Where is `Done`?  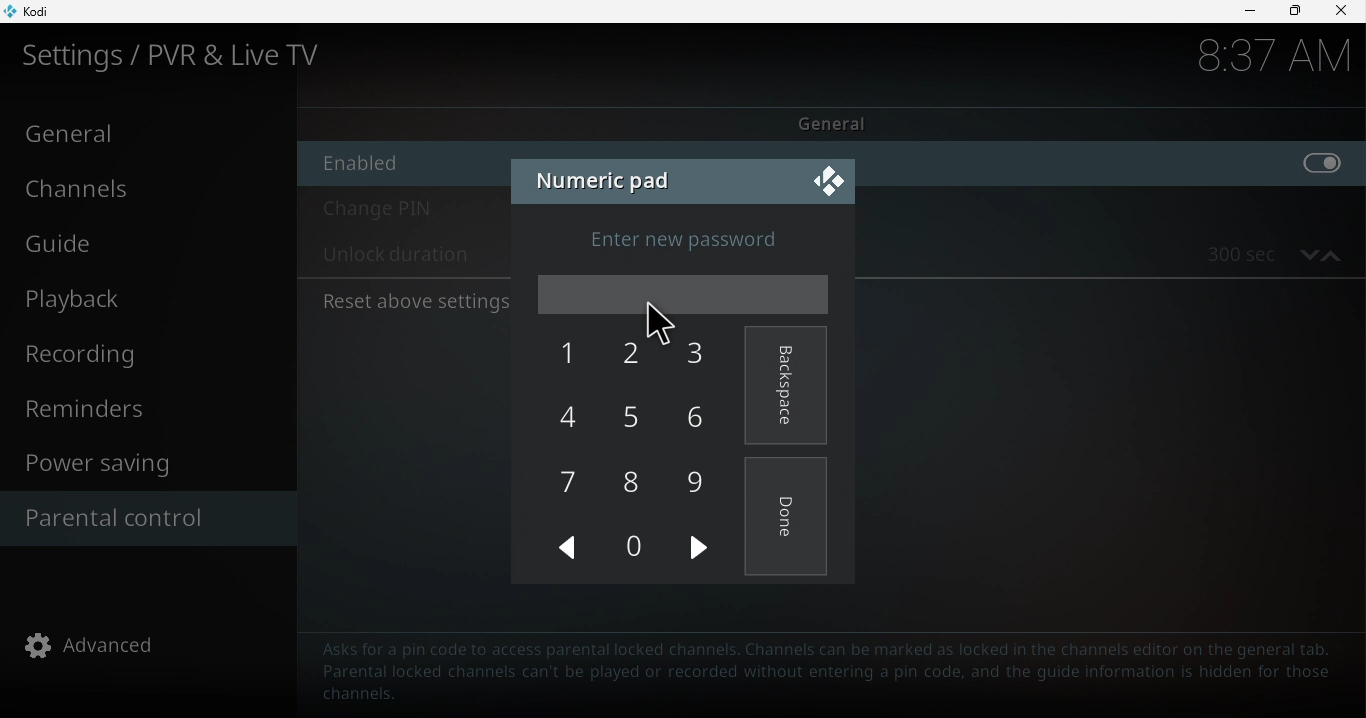 Done is located at coordinates (793, 517).